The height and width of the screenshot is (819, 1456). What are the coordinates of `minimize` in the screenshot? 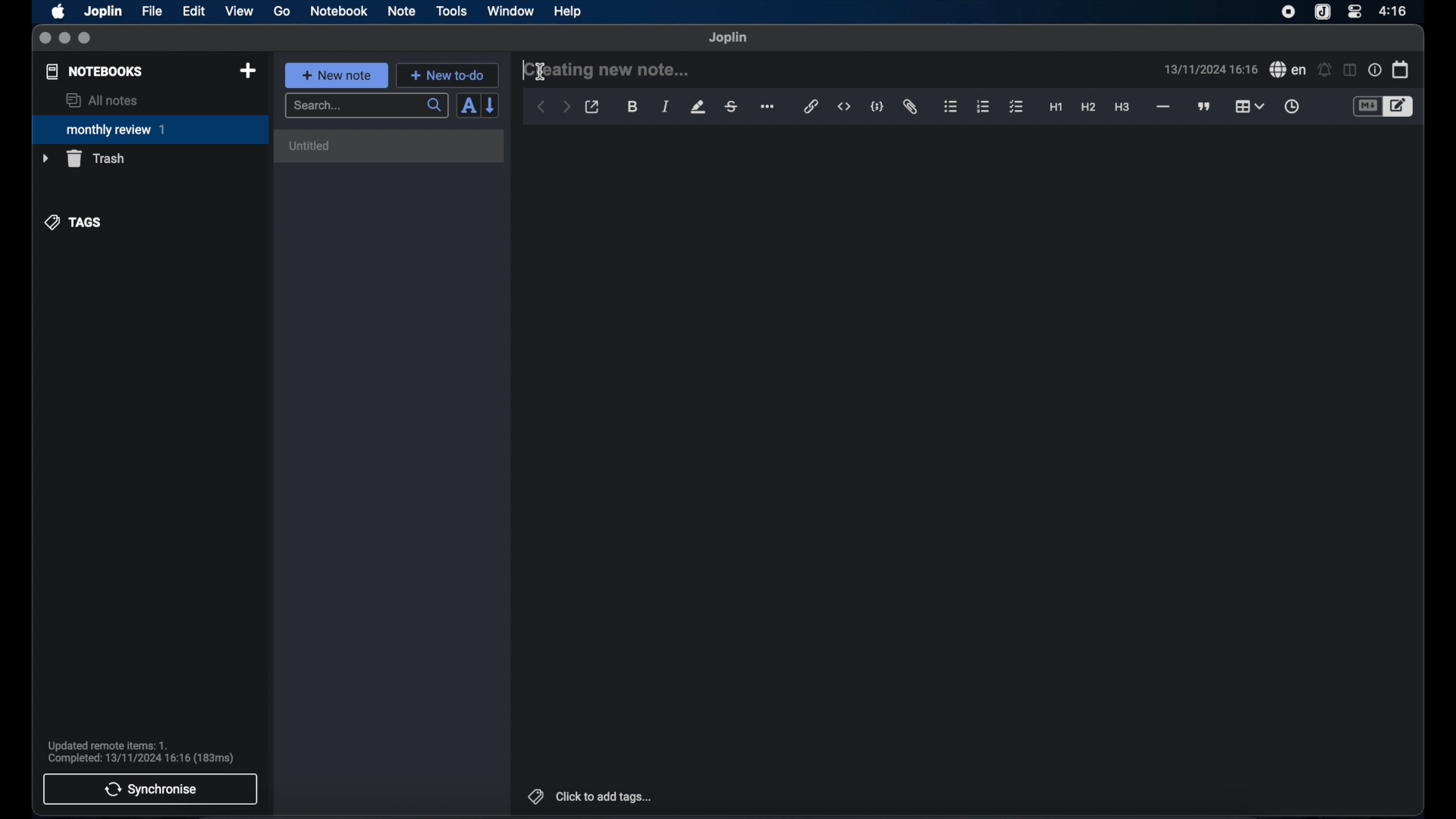 It's located at (64, 39).